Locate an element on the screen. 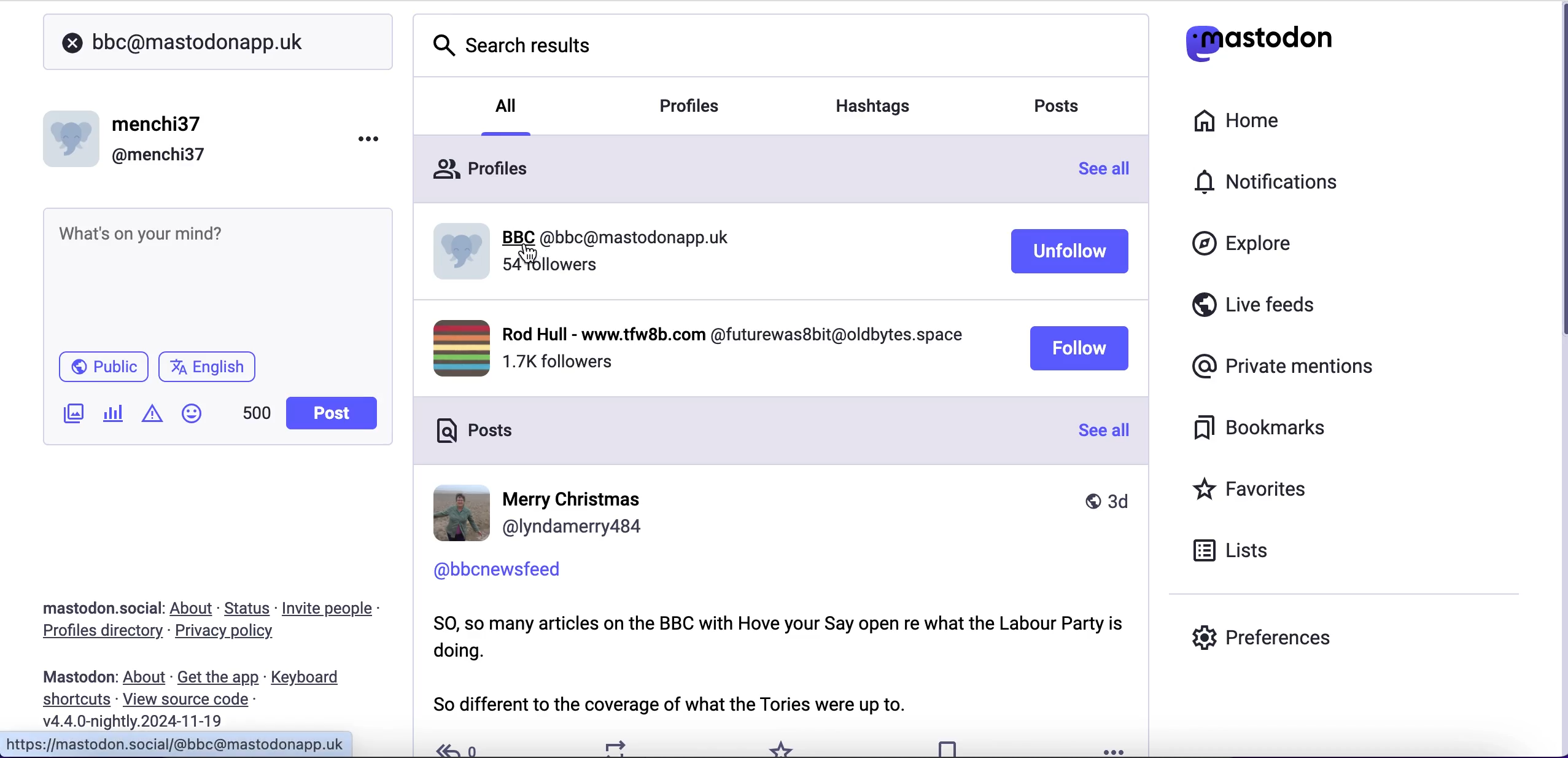 The height and width of the screenshot is (758, 1568). about is located at coordinates (147, 678).